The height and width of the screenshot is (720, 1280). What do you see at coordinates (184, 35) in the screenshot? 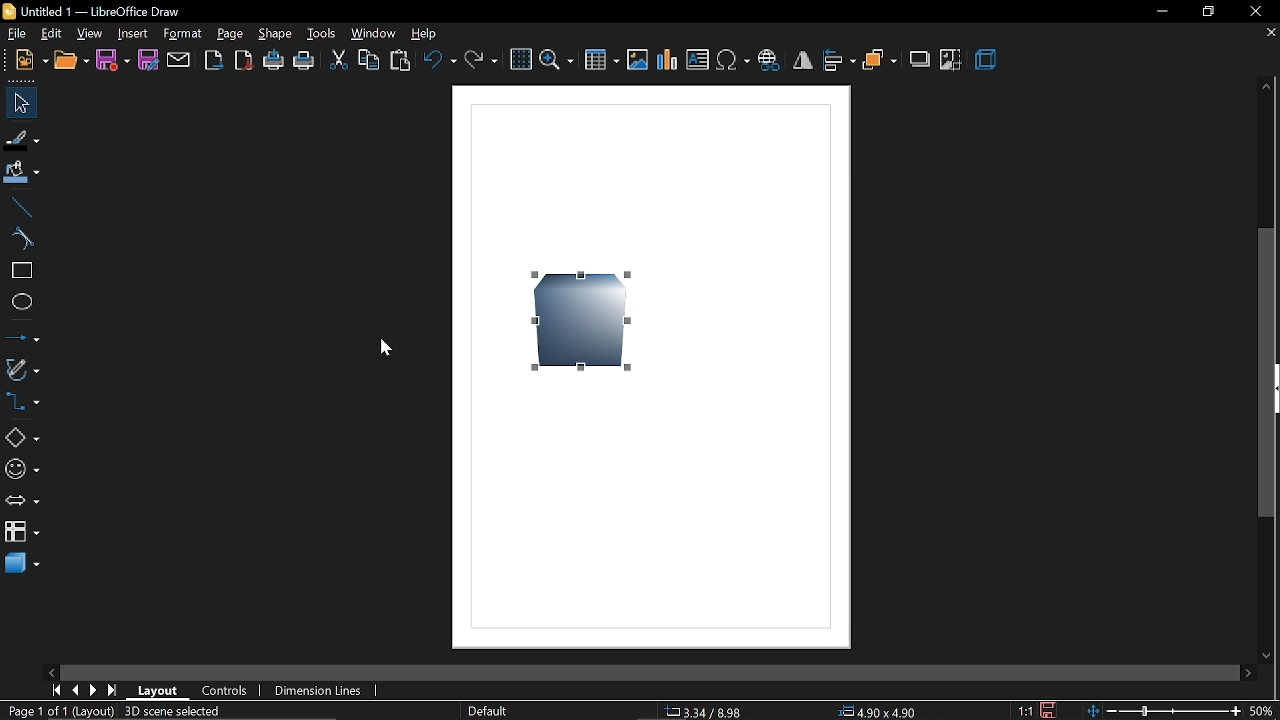
I see `format` at bounding box center [184, 35].